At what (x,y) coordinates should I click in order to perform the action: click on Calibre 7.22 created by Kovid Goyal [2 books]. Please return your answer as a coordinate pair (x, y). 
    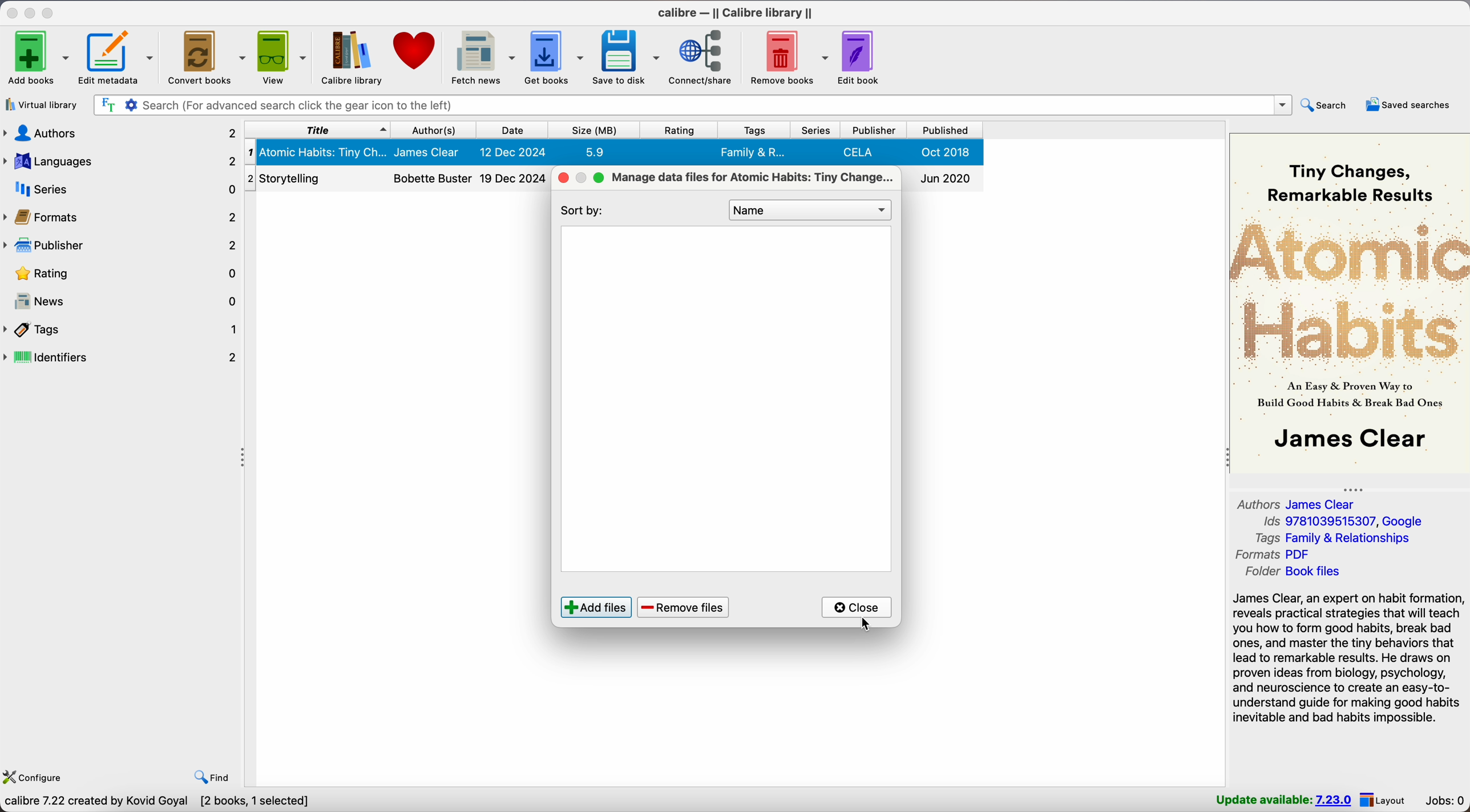
    Looking at the image, I should click on (127, 803).